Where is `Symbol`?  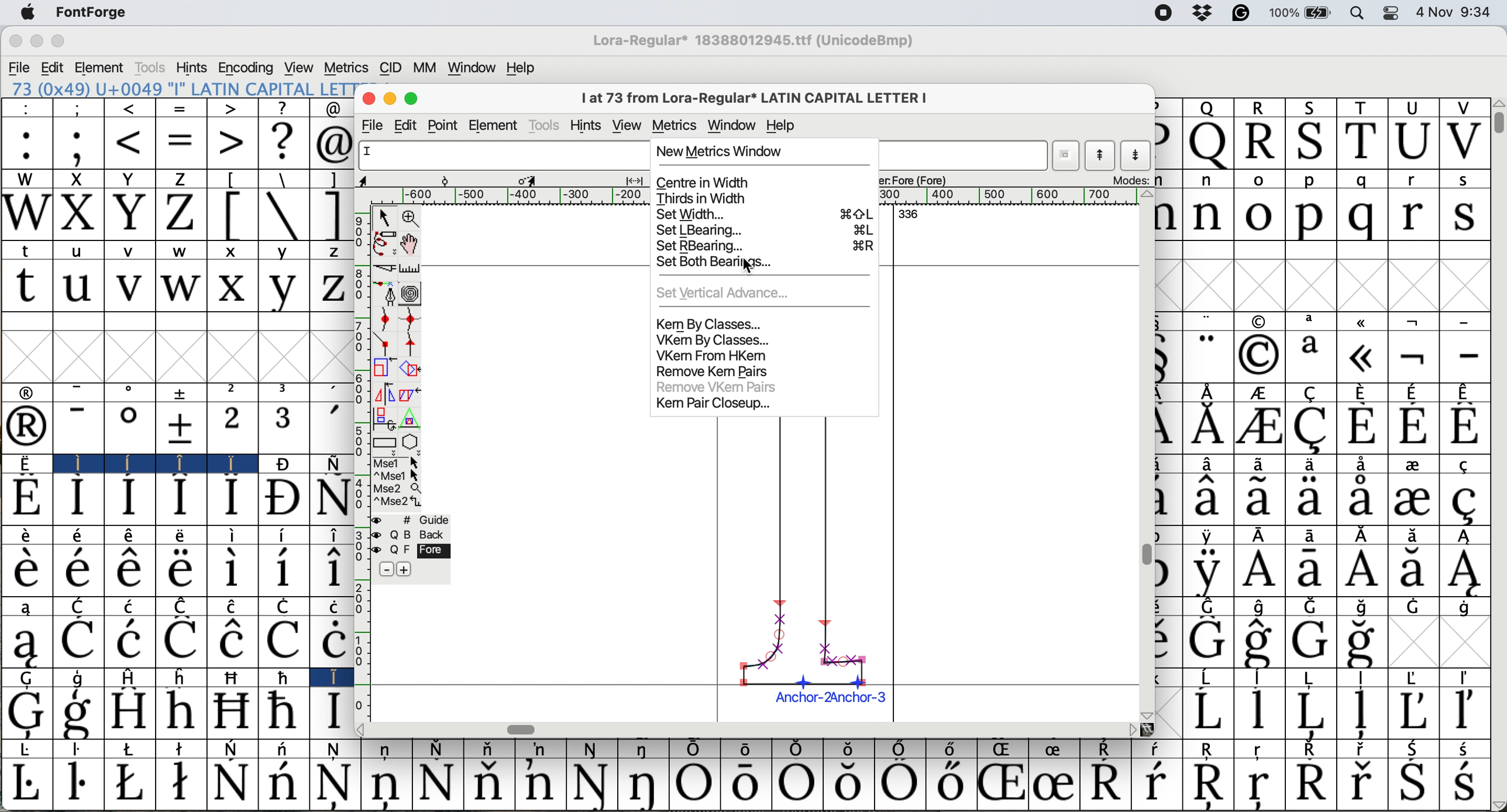
Symbol is located at coordinates (235, 605).